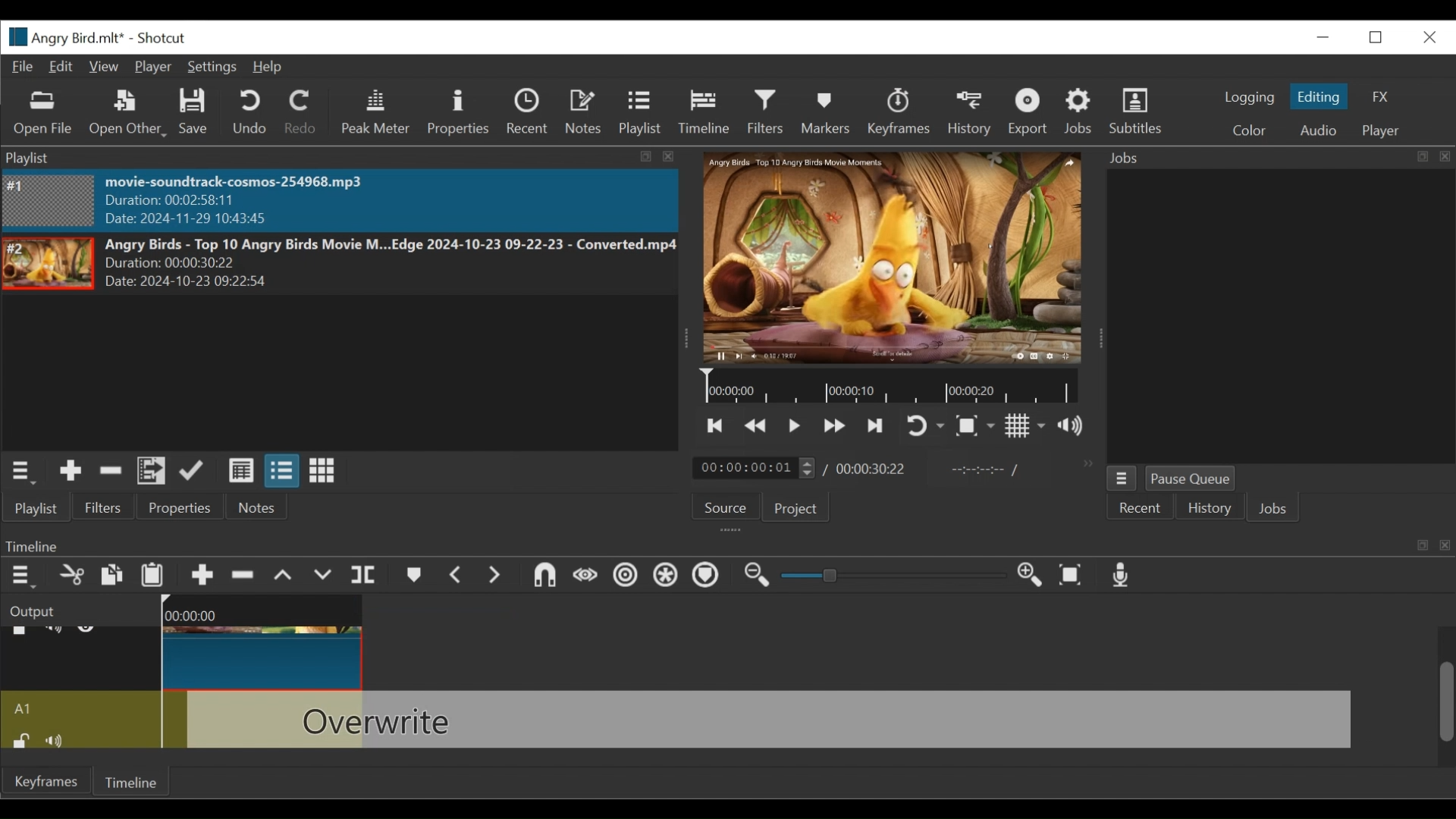 This screenshot has width=1456, height=819. What do you see at coordinates (1378, 36) in the screenshot?
I see `Restore` at bounding box center [1378, 36].